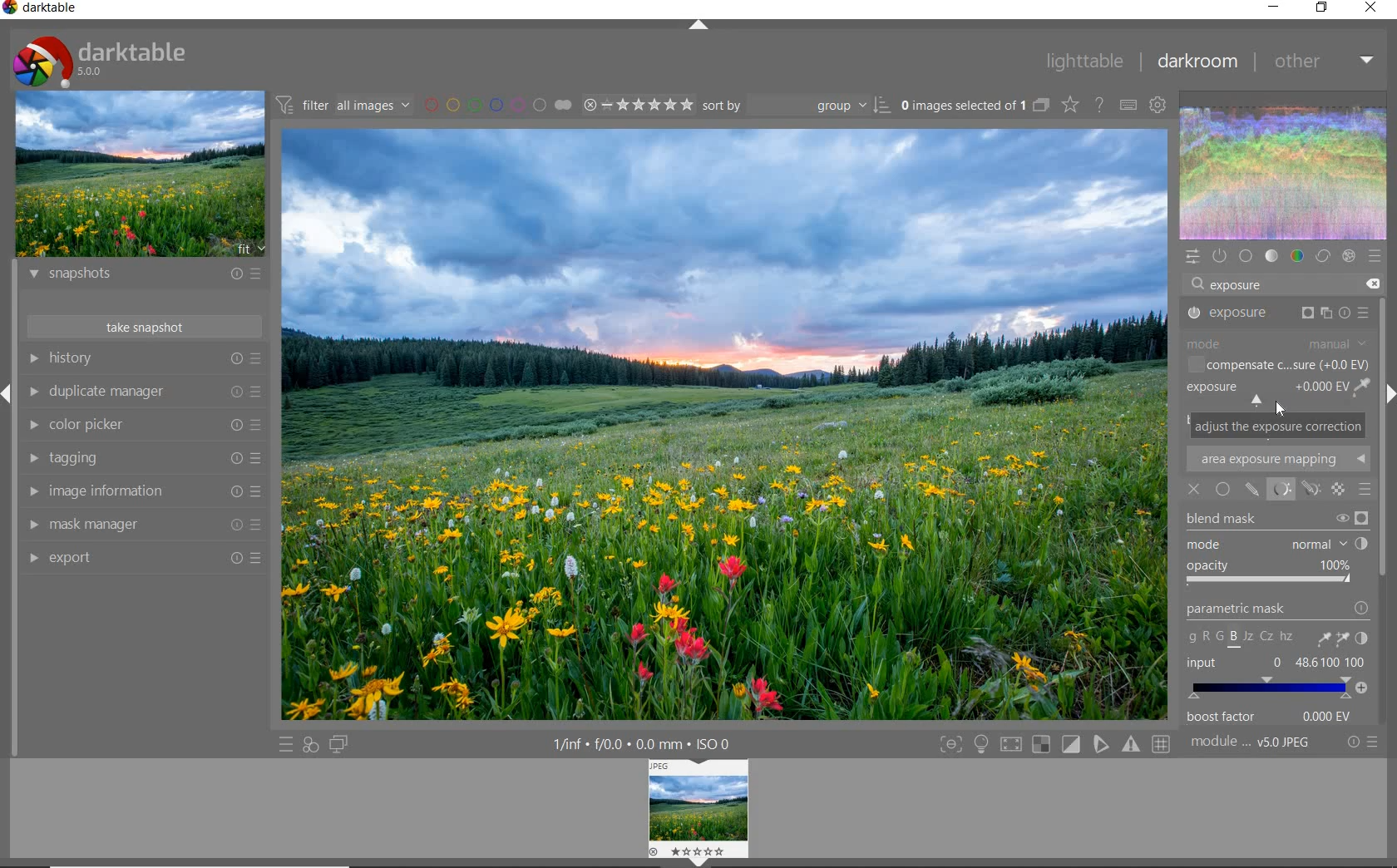  What do you see at coordinates (1383, 452) in the screenshot?
I see `scrollbar` at bounding box center [1383, 452].